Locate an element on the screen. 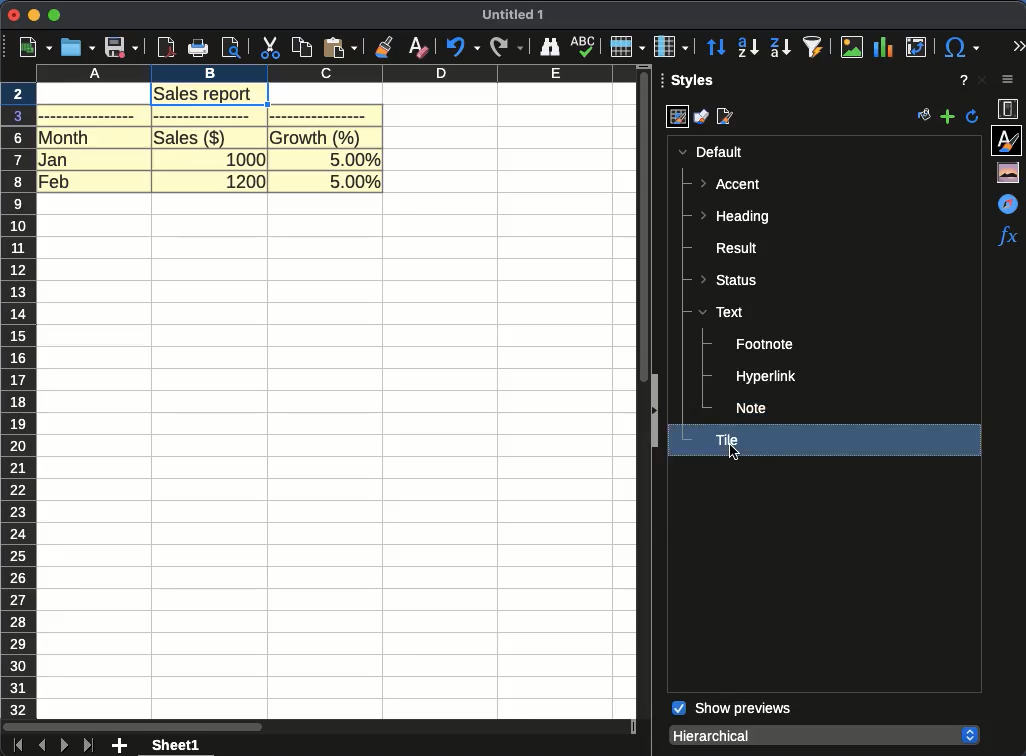  last sheet is located at coordinates (90, 745).